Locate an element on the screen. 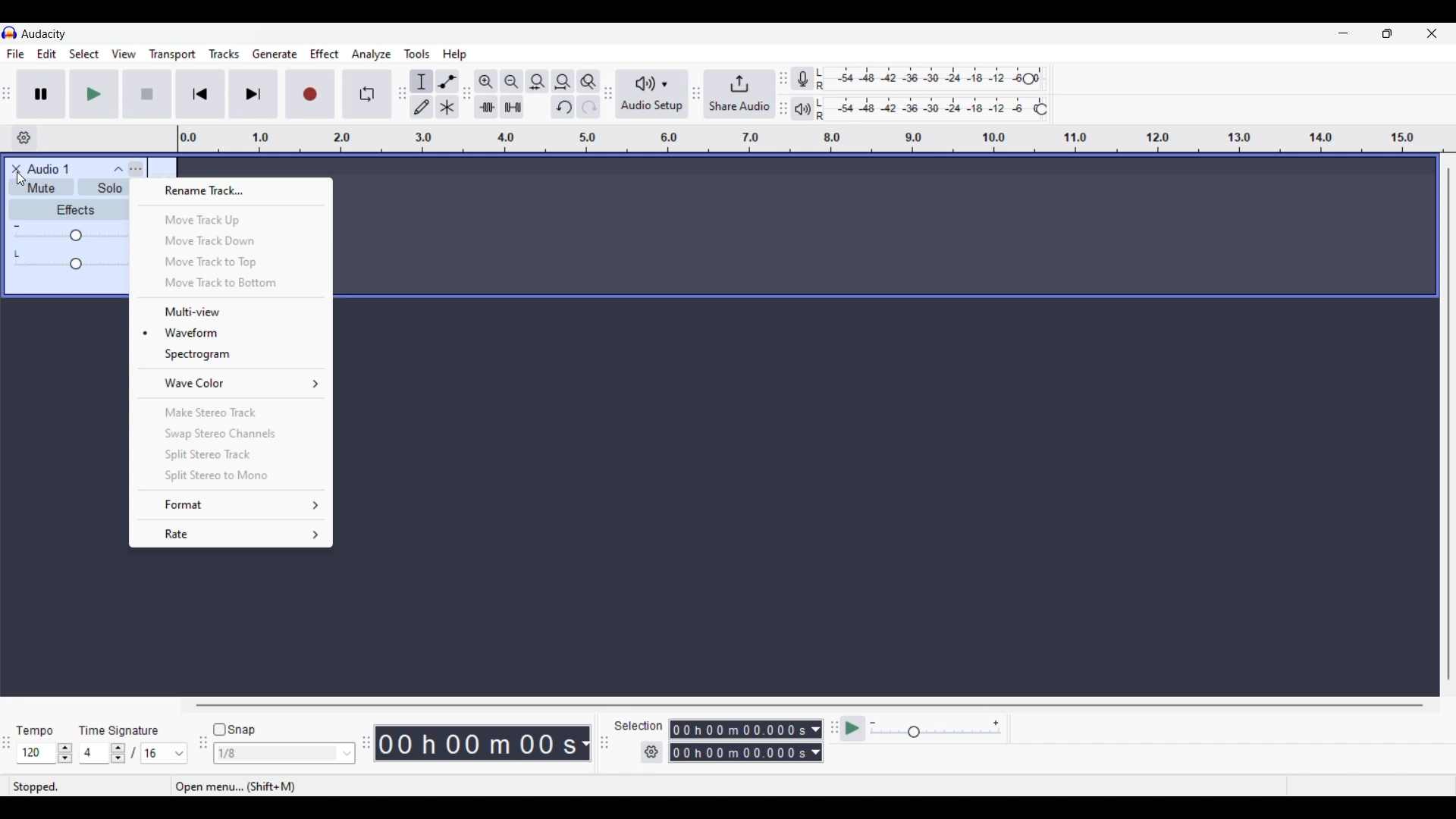  Status of recording is located at coordinates (89, 786).